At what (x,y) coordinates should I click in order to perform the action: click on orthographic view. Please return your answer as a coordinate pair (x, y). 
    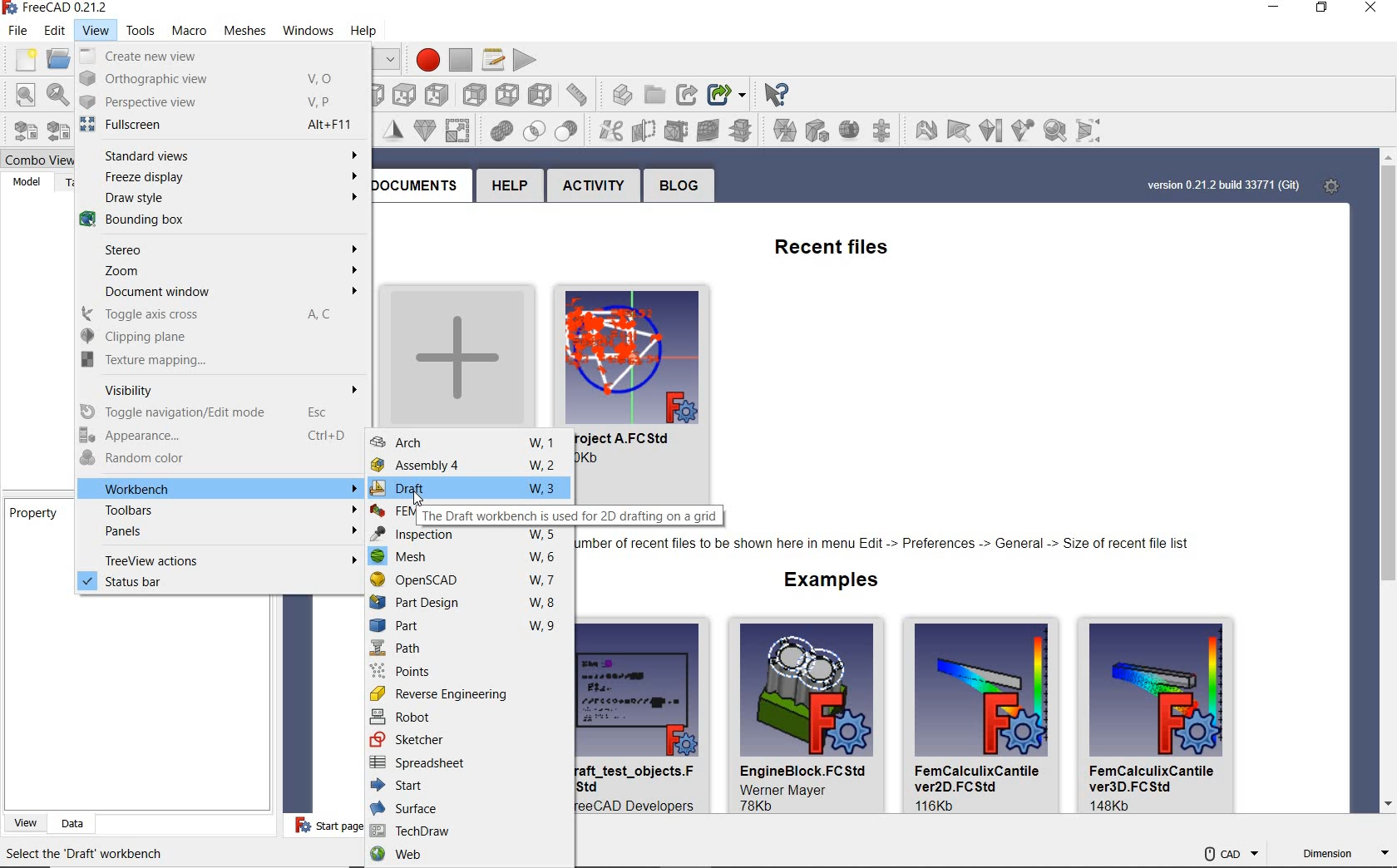
    Looking at the image, I should click on (215, 79).